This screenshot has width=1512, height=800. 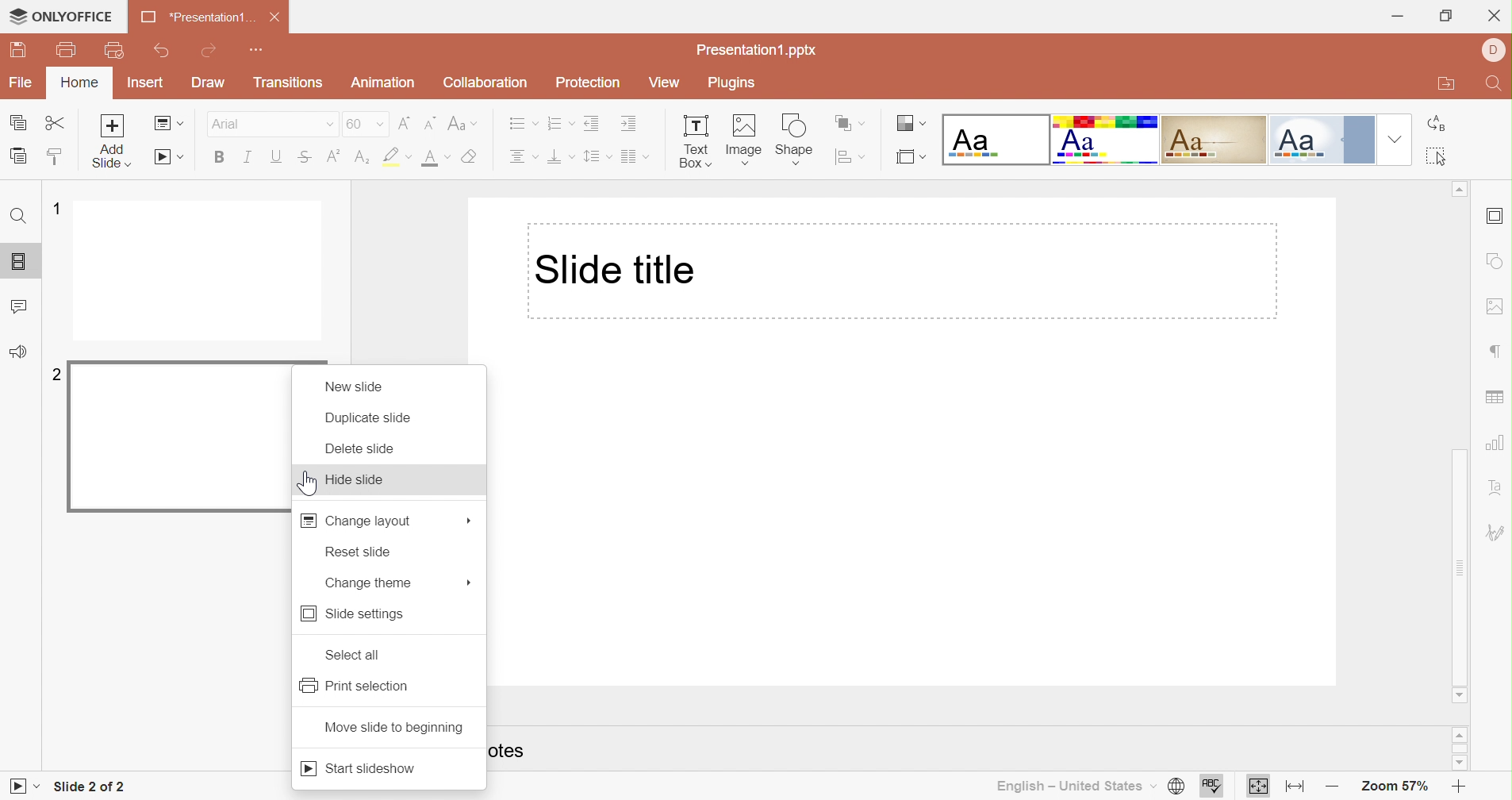 What do you see at coordinates (392, 728) in the screenshot?
I see `Moving side to beginning` at bounding box center [392, 728].